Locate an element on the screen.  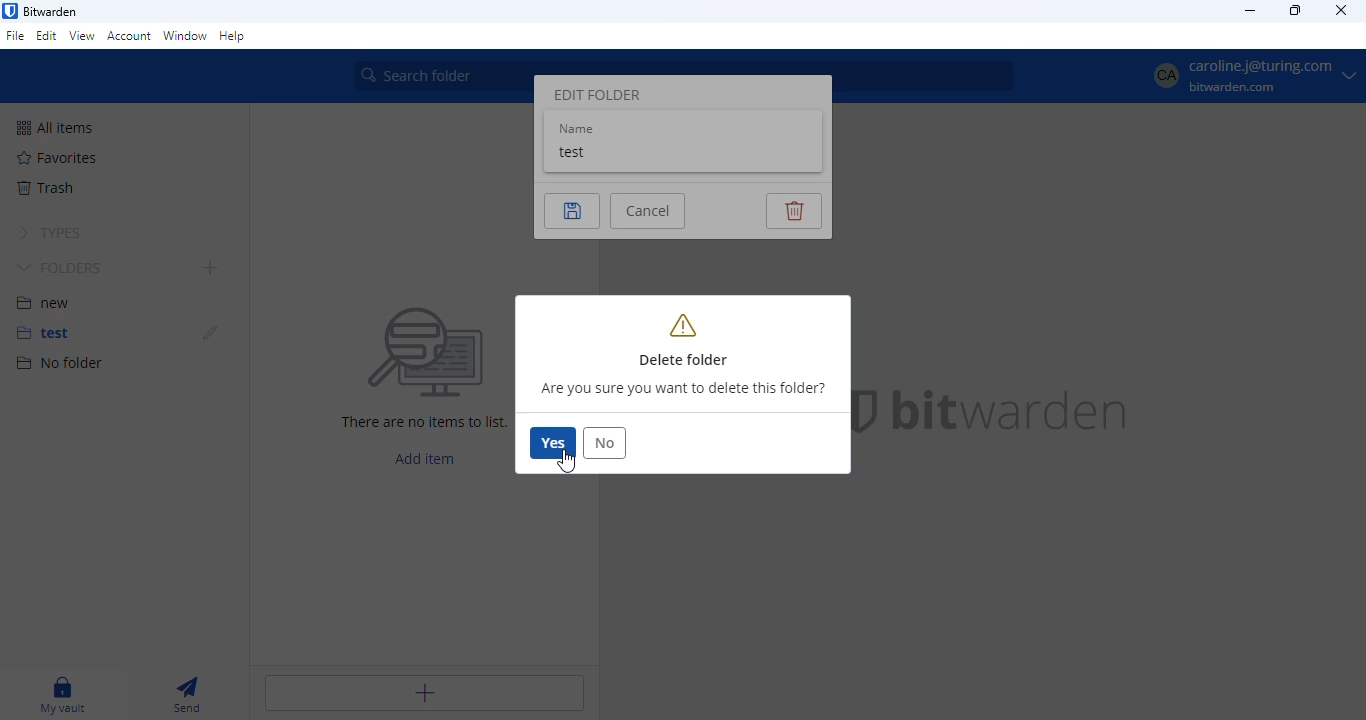
name is located at coordinates (577, 129).